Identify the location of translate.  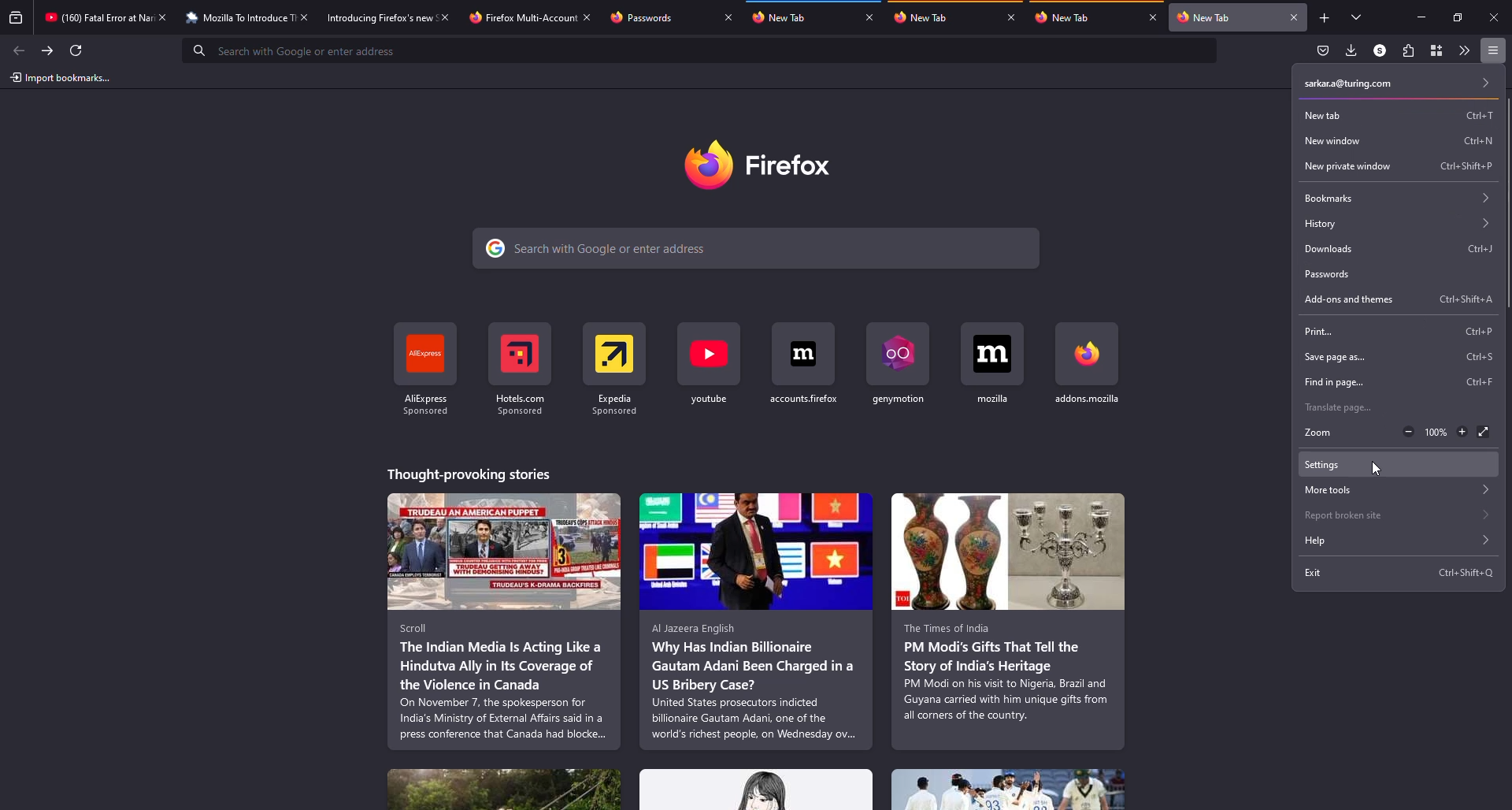
(1340, 407).